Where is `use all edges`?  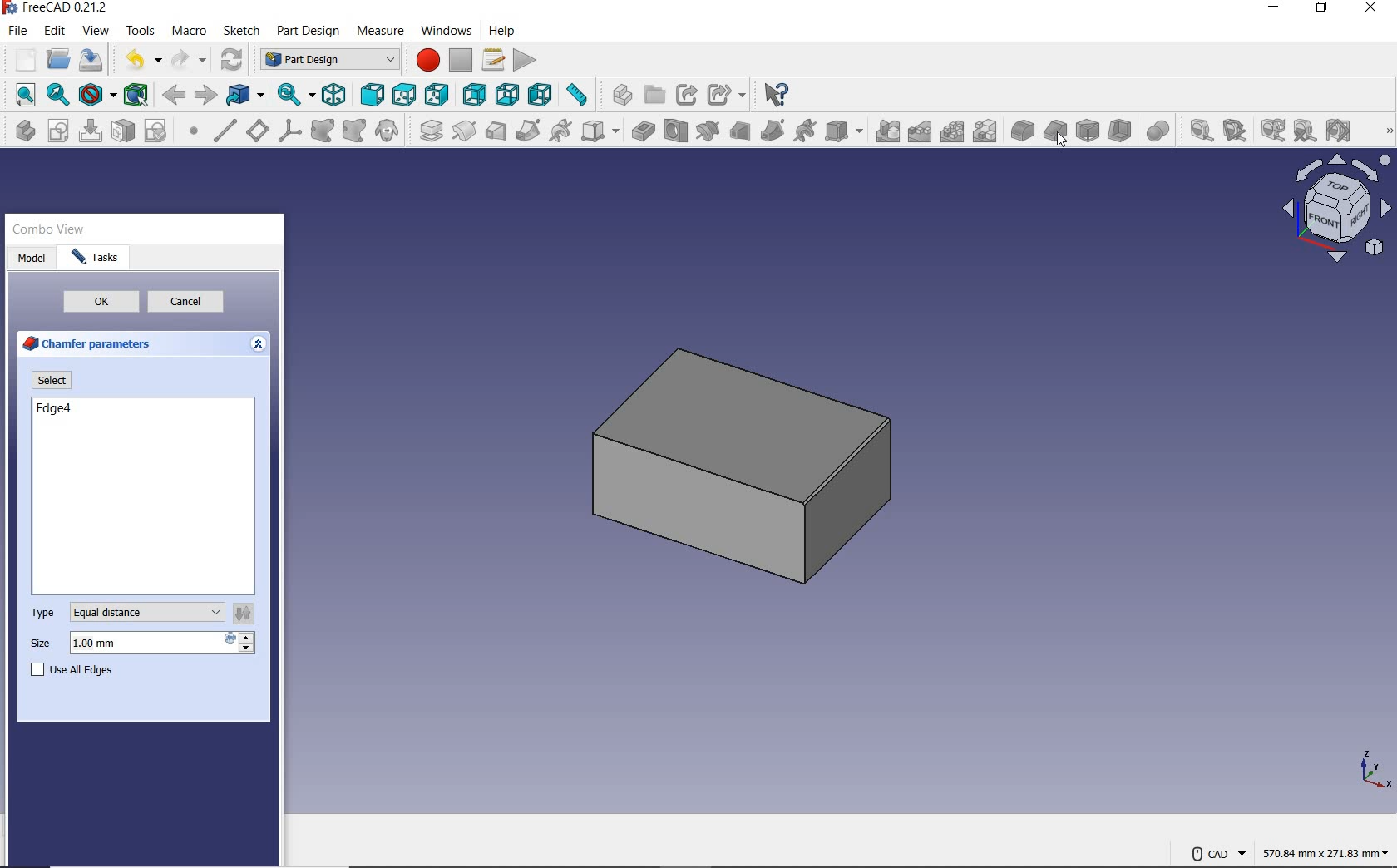
use all edges is located at coordinates (76, 671).